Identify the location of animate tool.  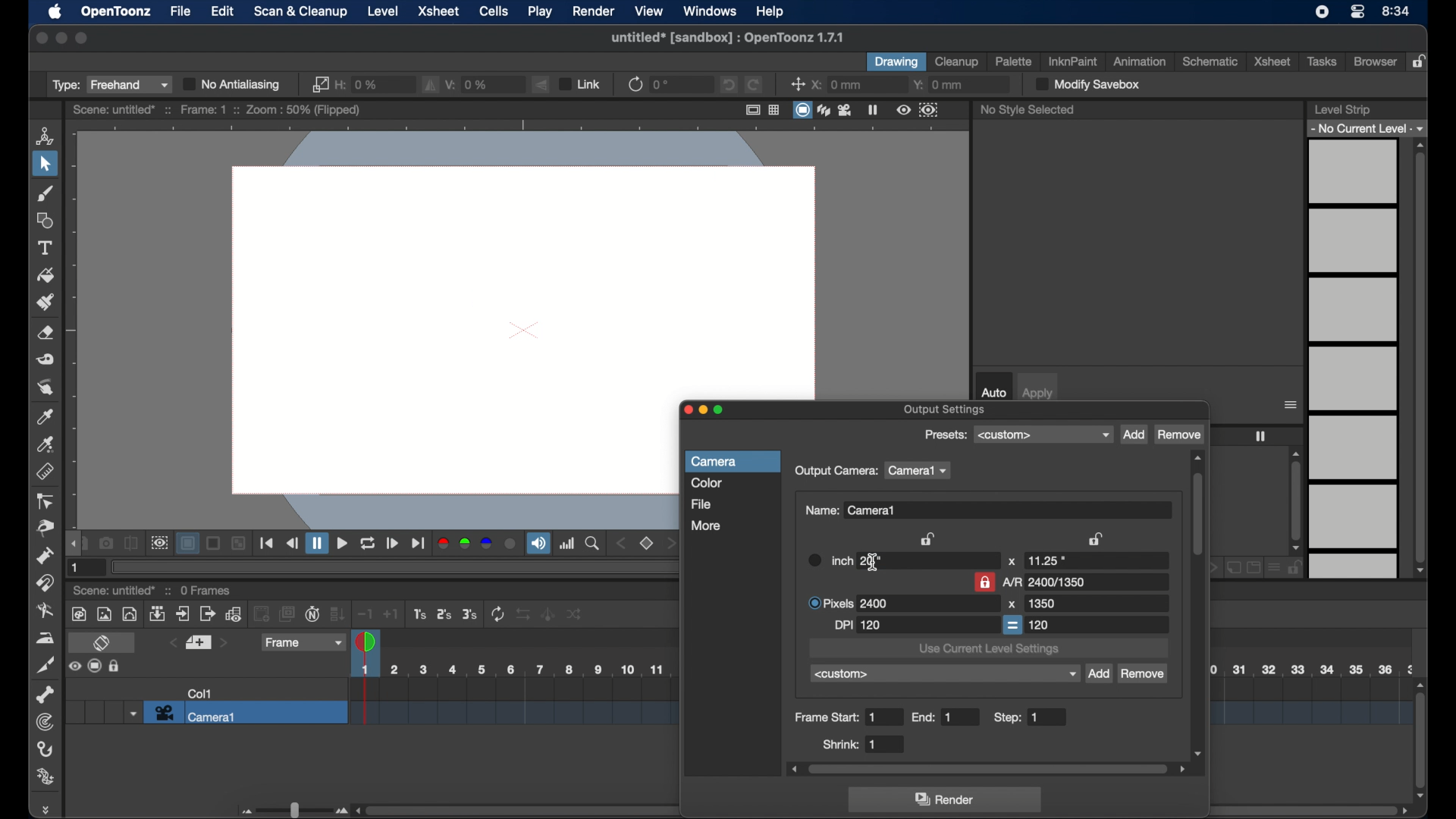
(45, 135).